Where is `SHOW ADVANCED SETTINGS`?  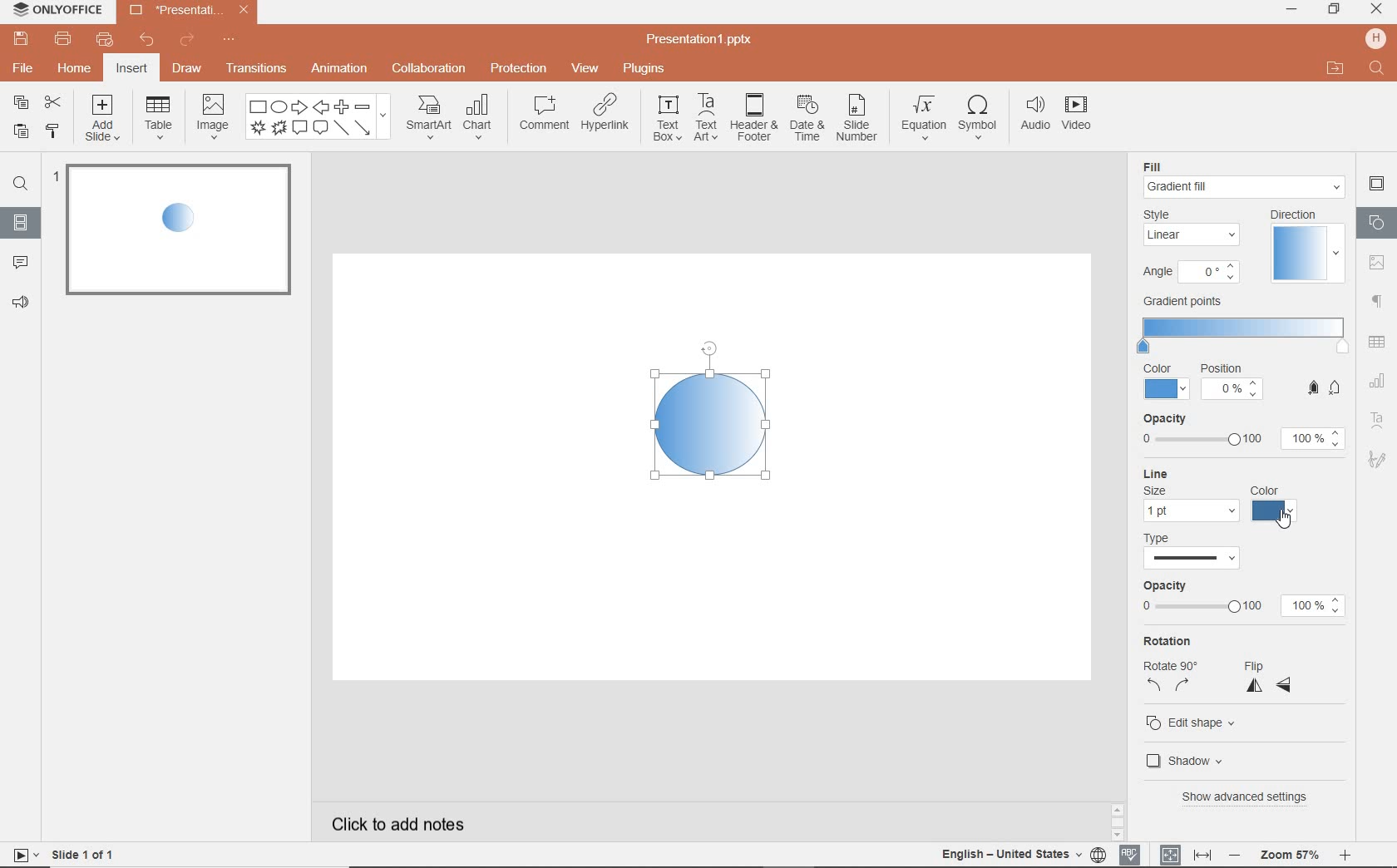
SHOW ADVANCED SETTINGS is located at coordinates (1249, 796).